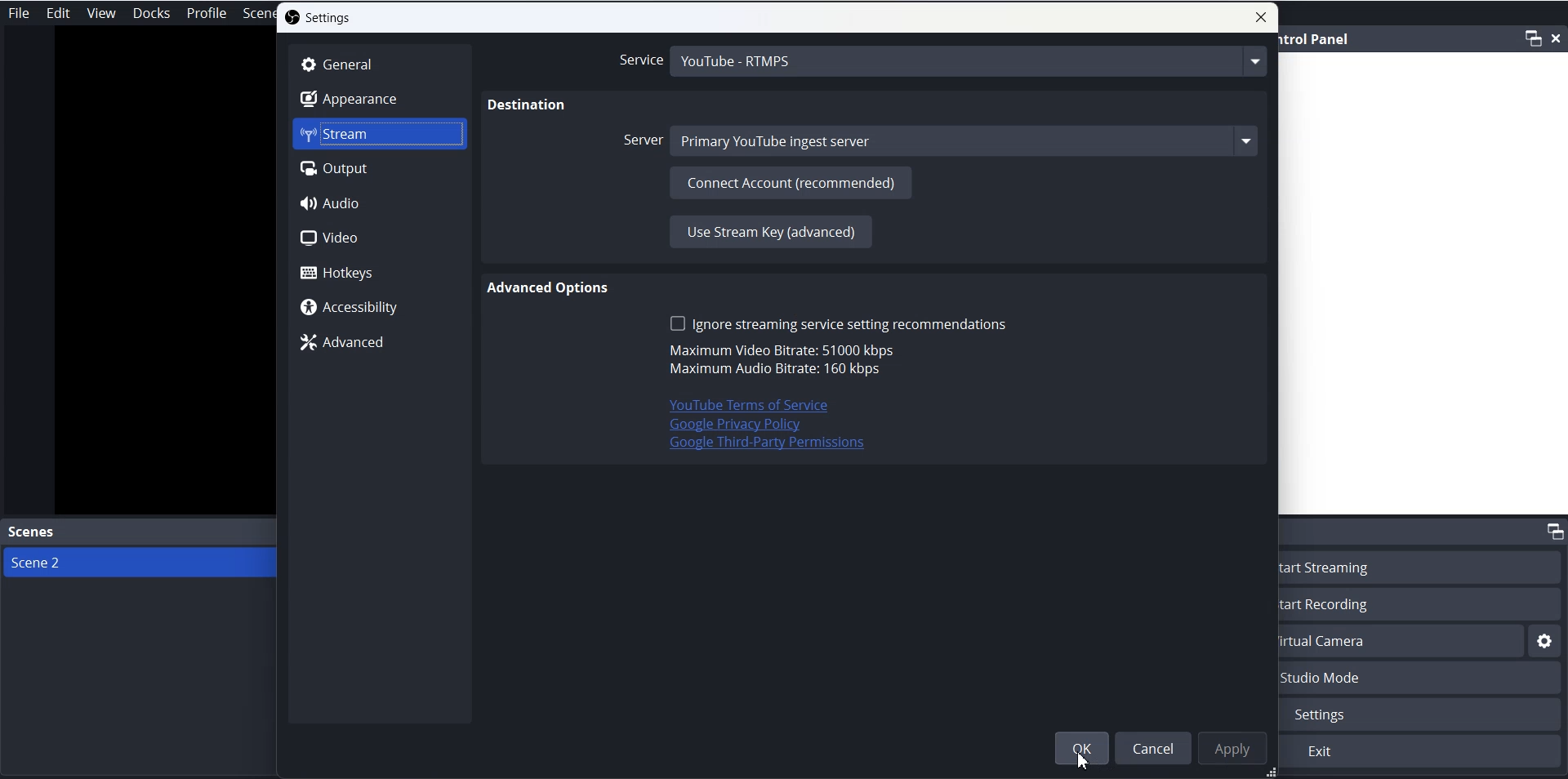 The width and height of the screenshot is (1568, 779). I want to click on Audio, so click(377, 203).